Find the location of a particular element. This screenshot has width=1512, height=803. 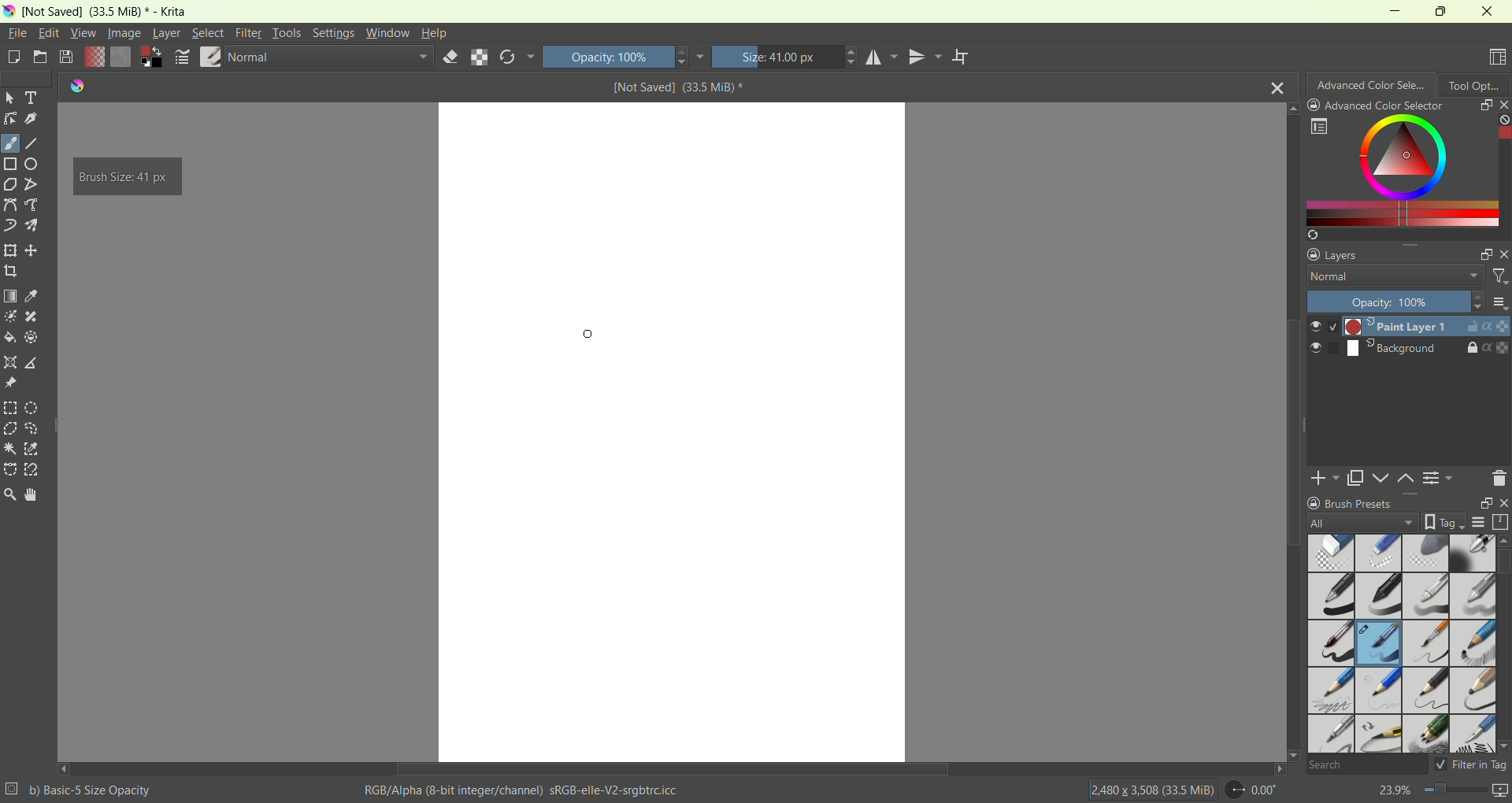

select is located at coordinates (206, 32).